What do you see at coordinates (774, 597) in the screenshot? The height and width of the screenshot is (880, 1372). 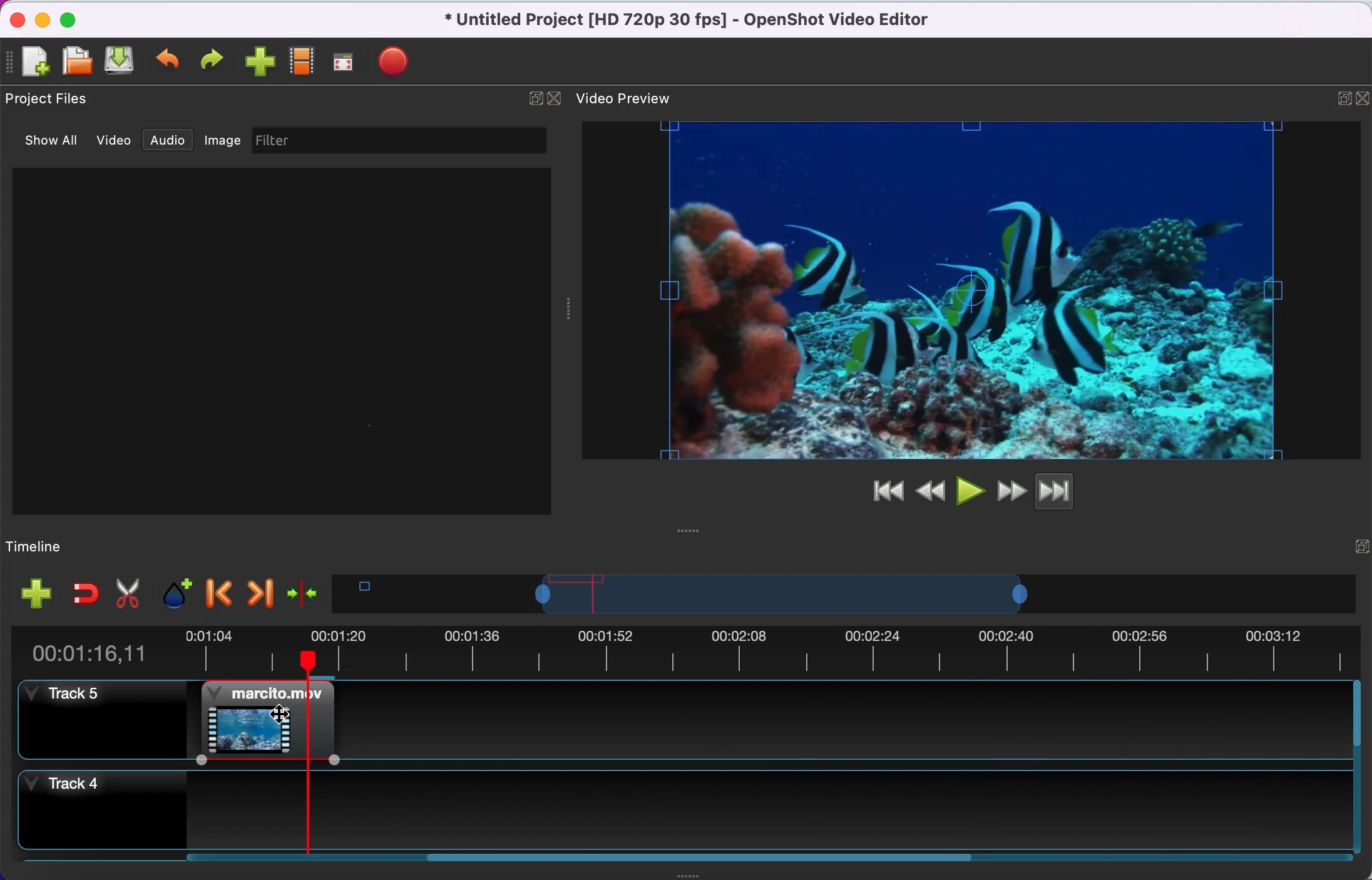 I see `timeline` at bounding box center [774, 597].